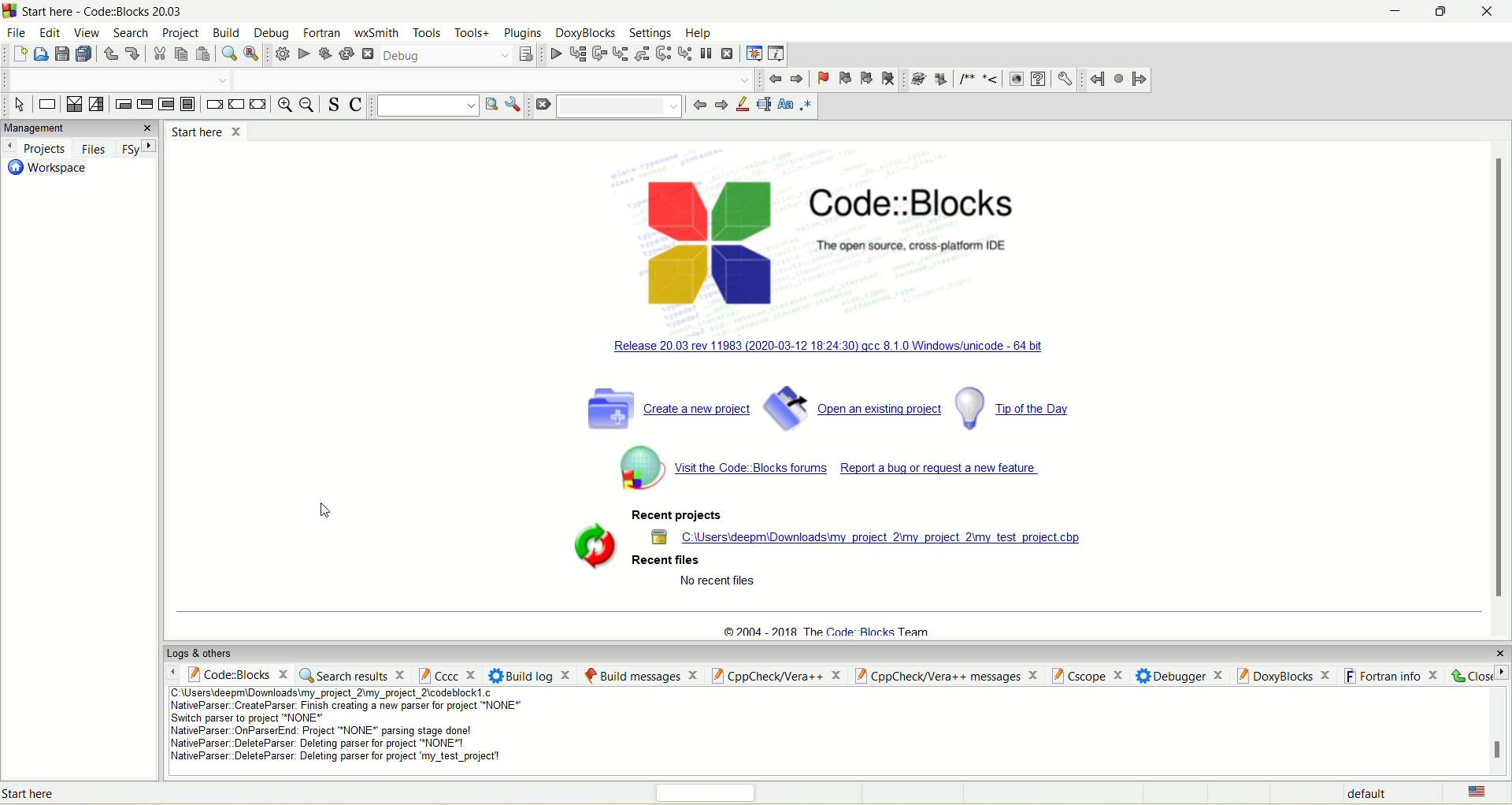 The height and width of the screenshot is (805, 1512). What do you see at coordinates (745, 105) in the screenshot?
I see `highlight` at bounding box center [745, 105].